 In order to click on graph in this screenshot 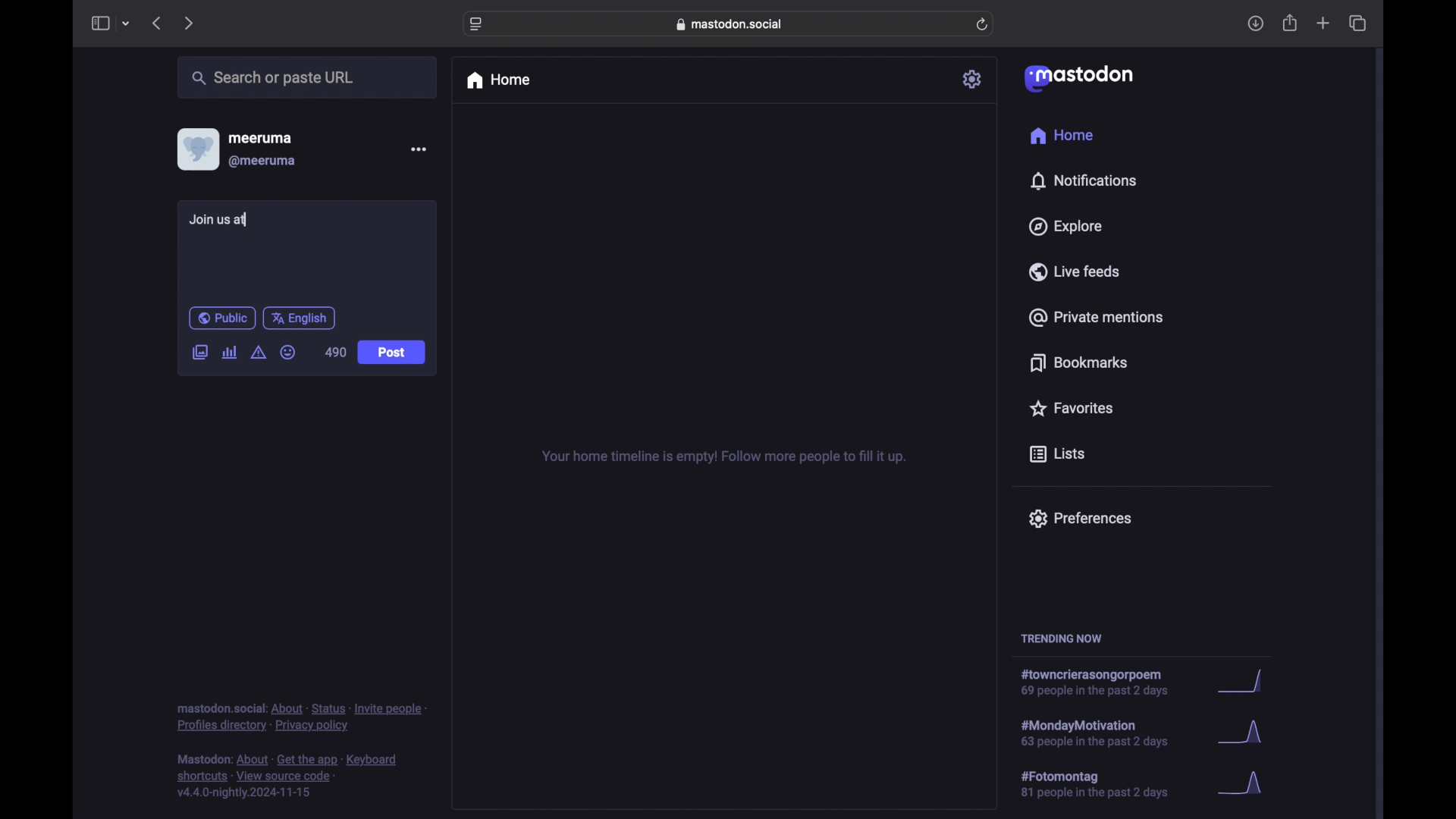, I will do `click(1240, 682)`.